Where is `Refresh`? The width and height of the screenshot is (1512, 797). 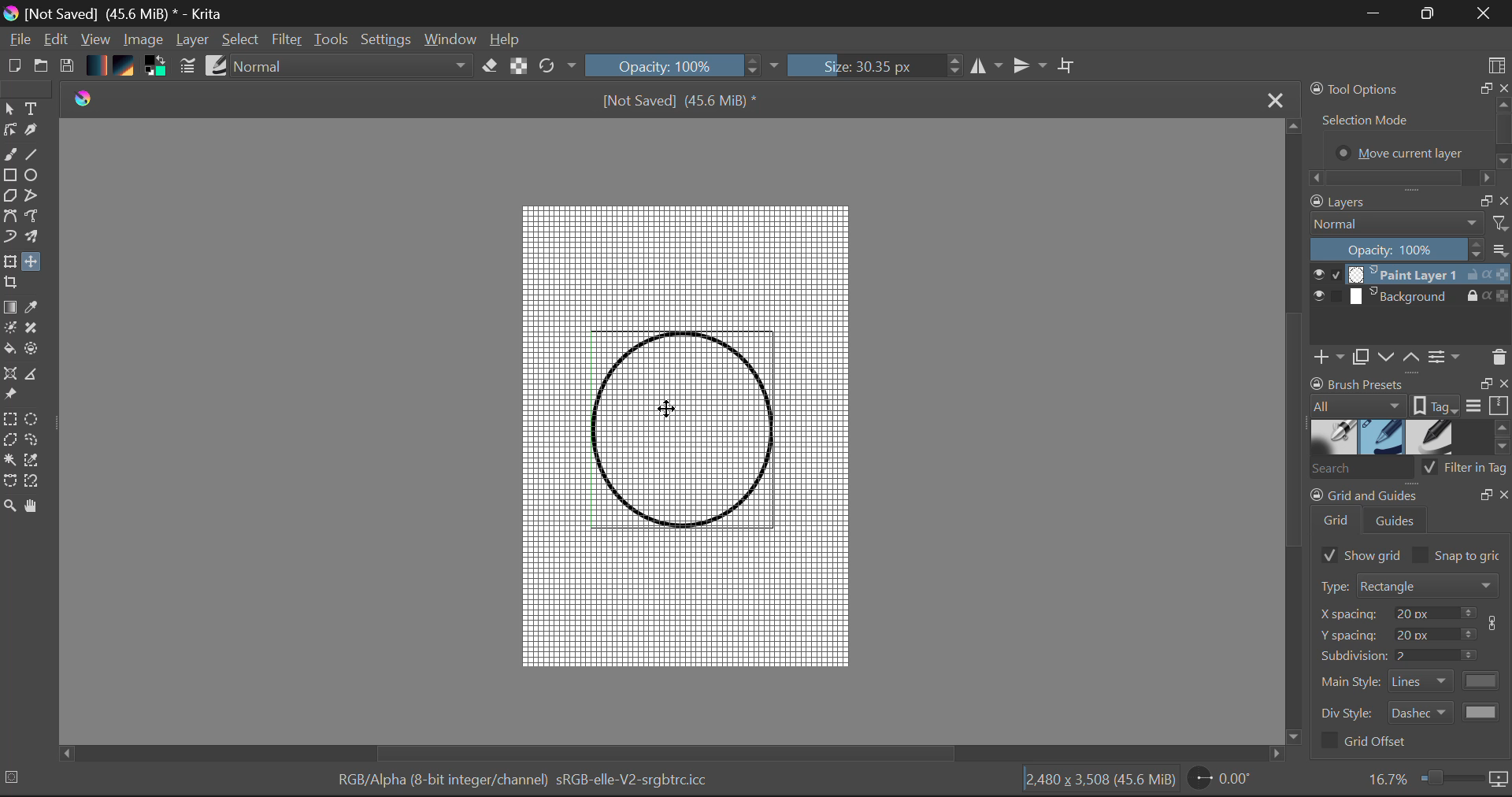 Refresh is located at coordinates (556, 68).